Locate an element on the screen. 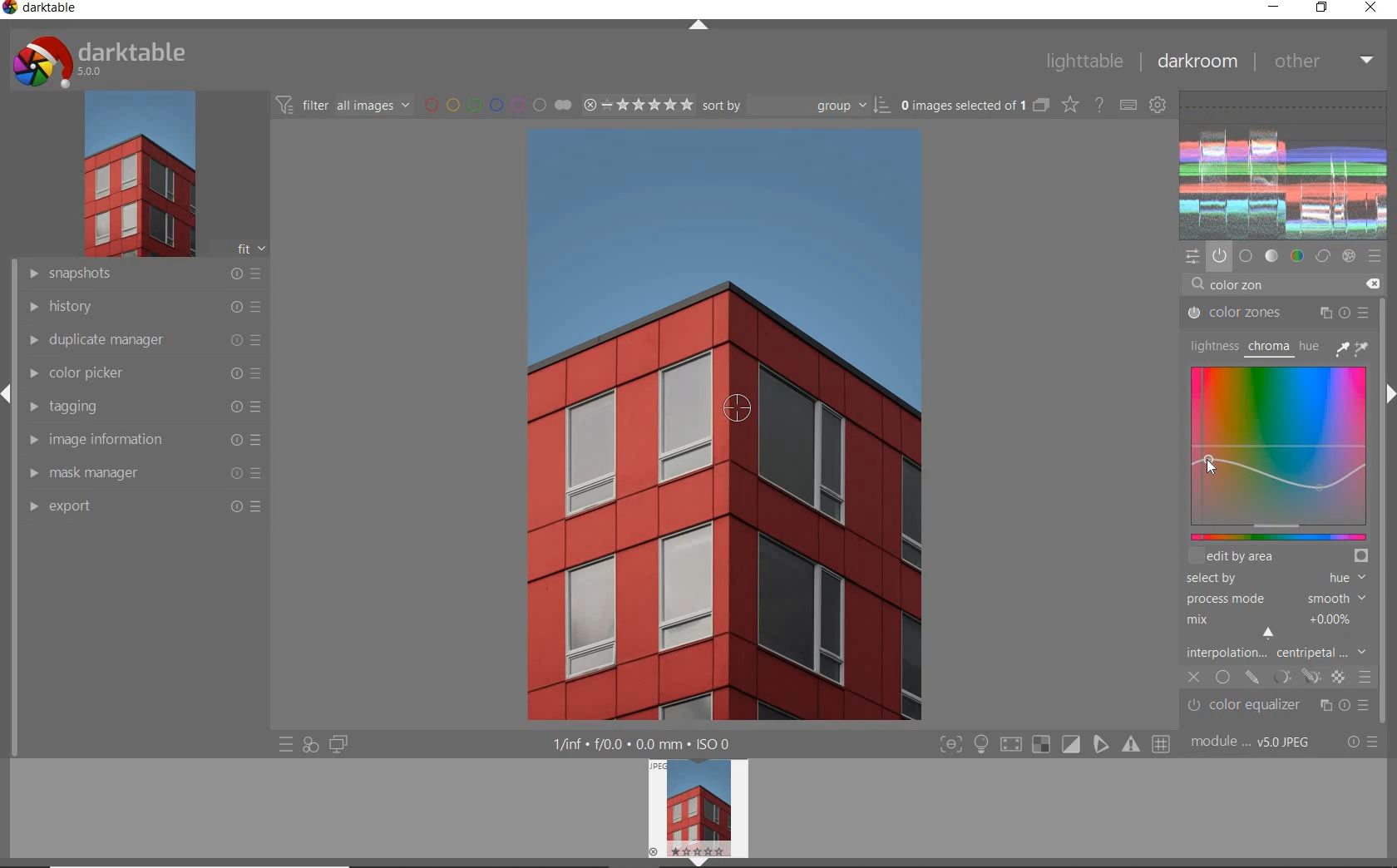  define keyboard shortcuts is located at coordinates (1129, 105).